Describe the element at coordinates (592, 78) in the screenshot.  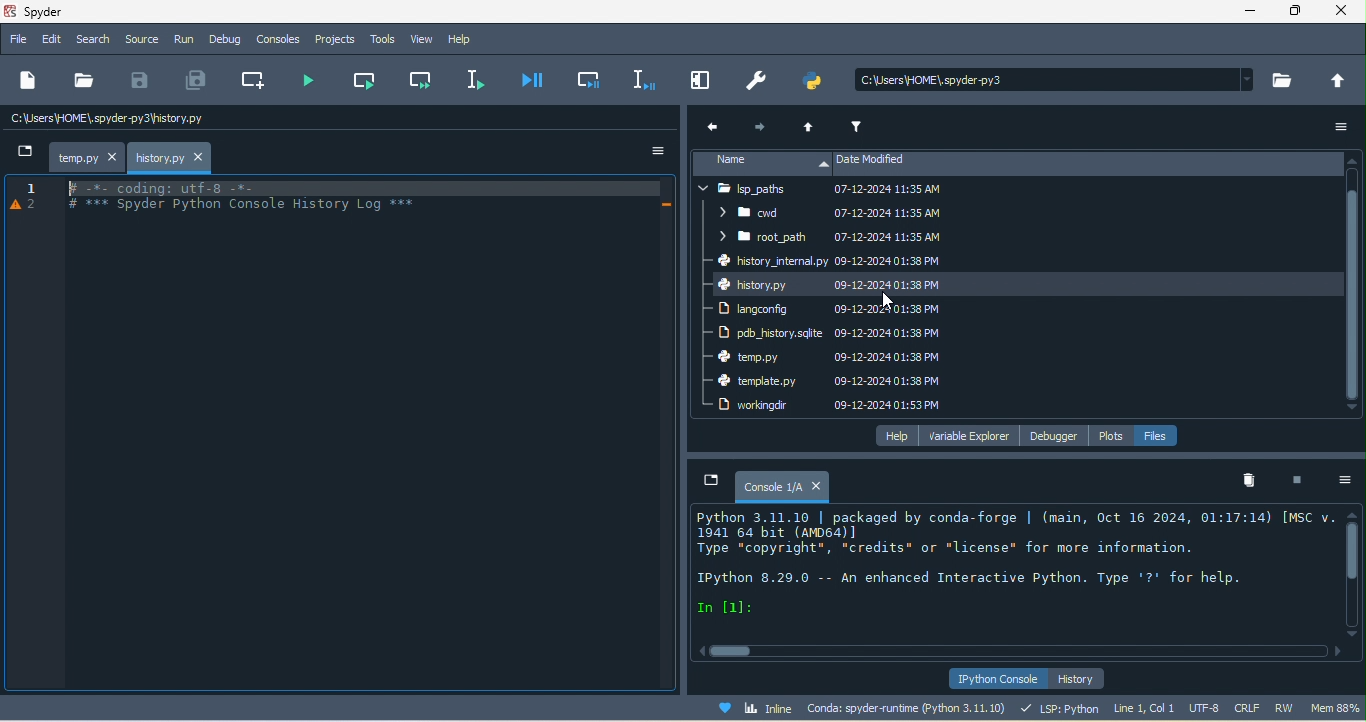
I see `debug cell` at that location.